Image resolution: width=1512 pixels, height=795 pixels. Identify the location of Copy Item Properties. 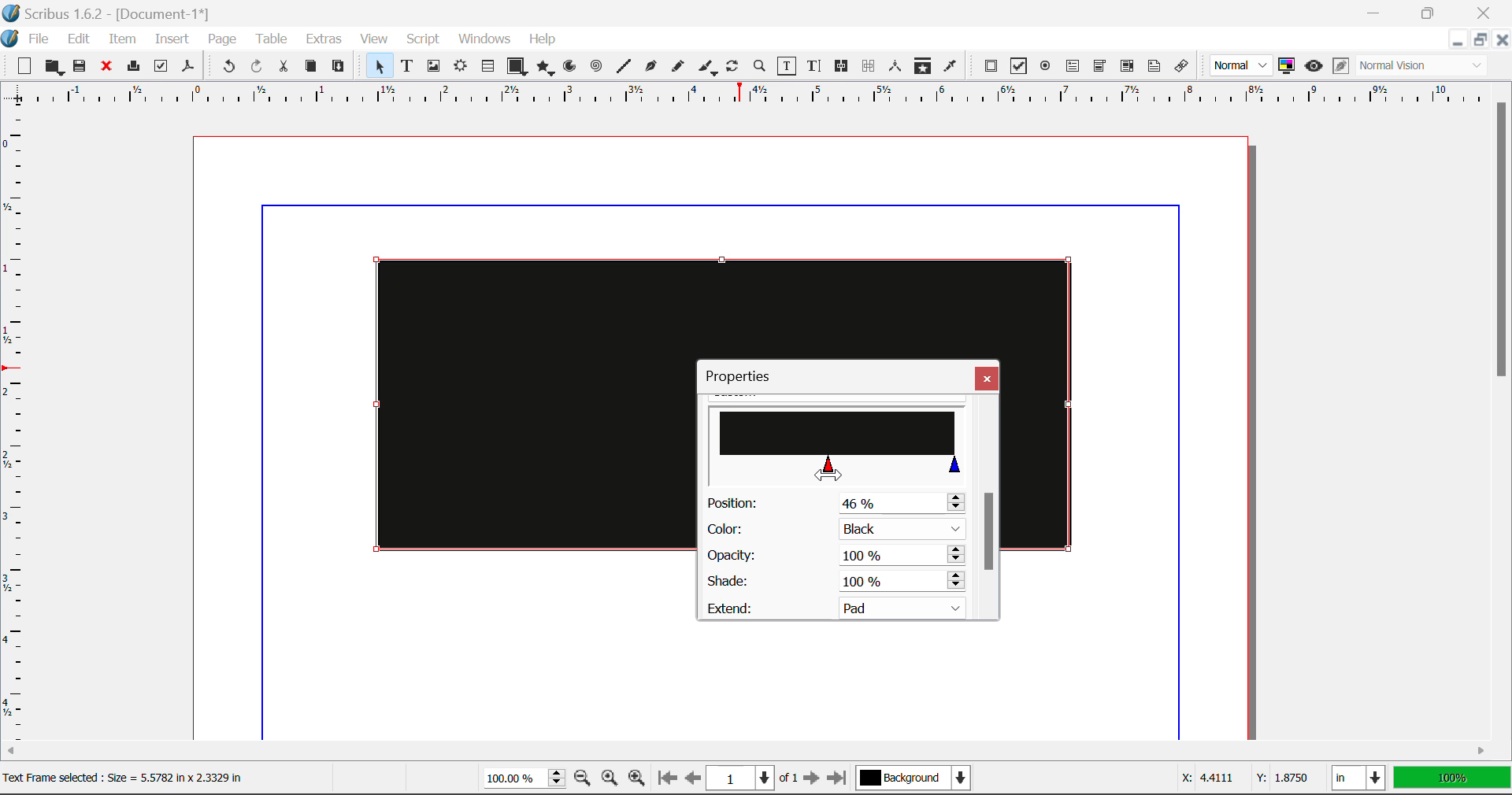
(922, 68).